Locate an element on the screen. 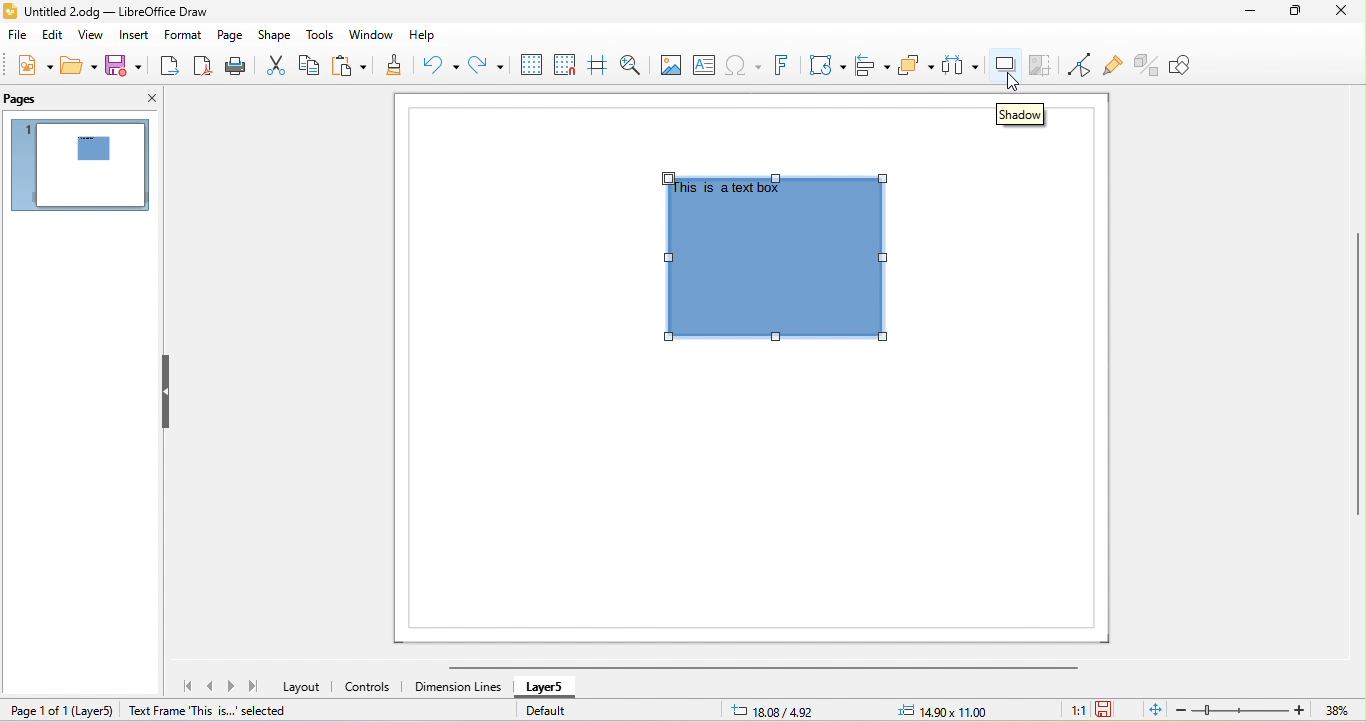 This screenshot has width=1366, height=722. window is located at coordinates (376, 36).